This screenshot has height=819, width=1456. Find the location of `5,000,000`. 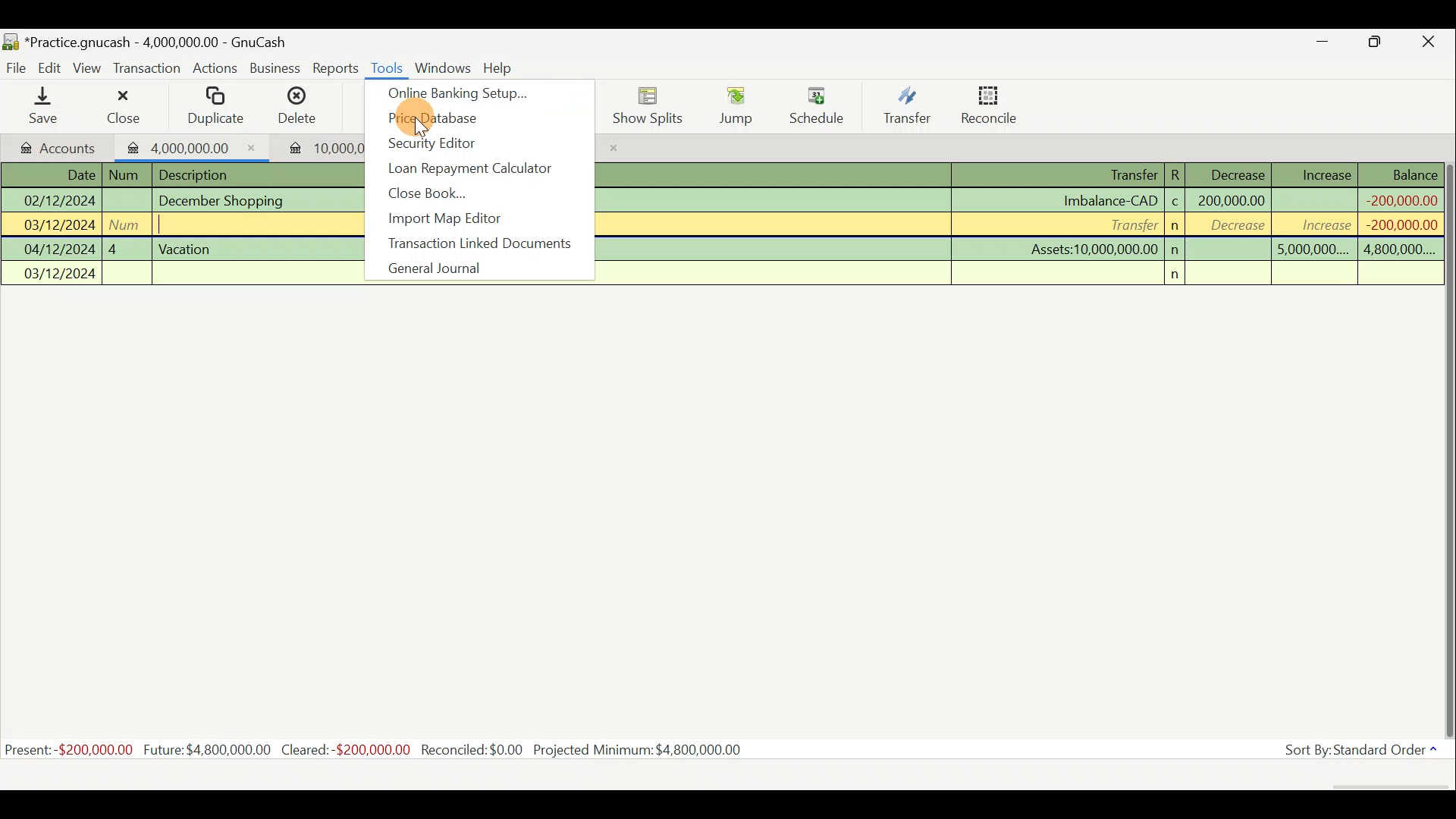

5,000,000 is located at coordinates (1313, 252).